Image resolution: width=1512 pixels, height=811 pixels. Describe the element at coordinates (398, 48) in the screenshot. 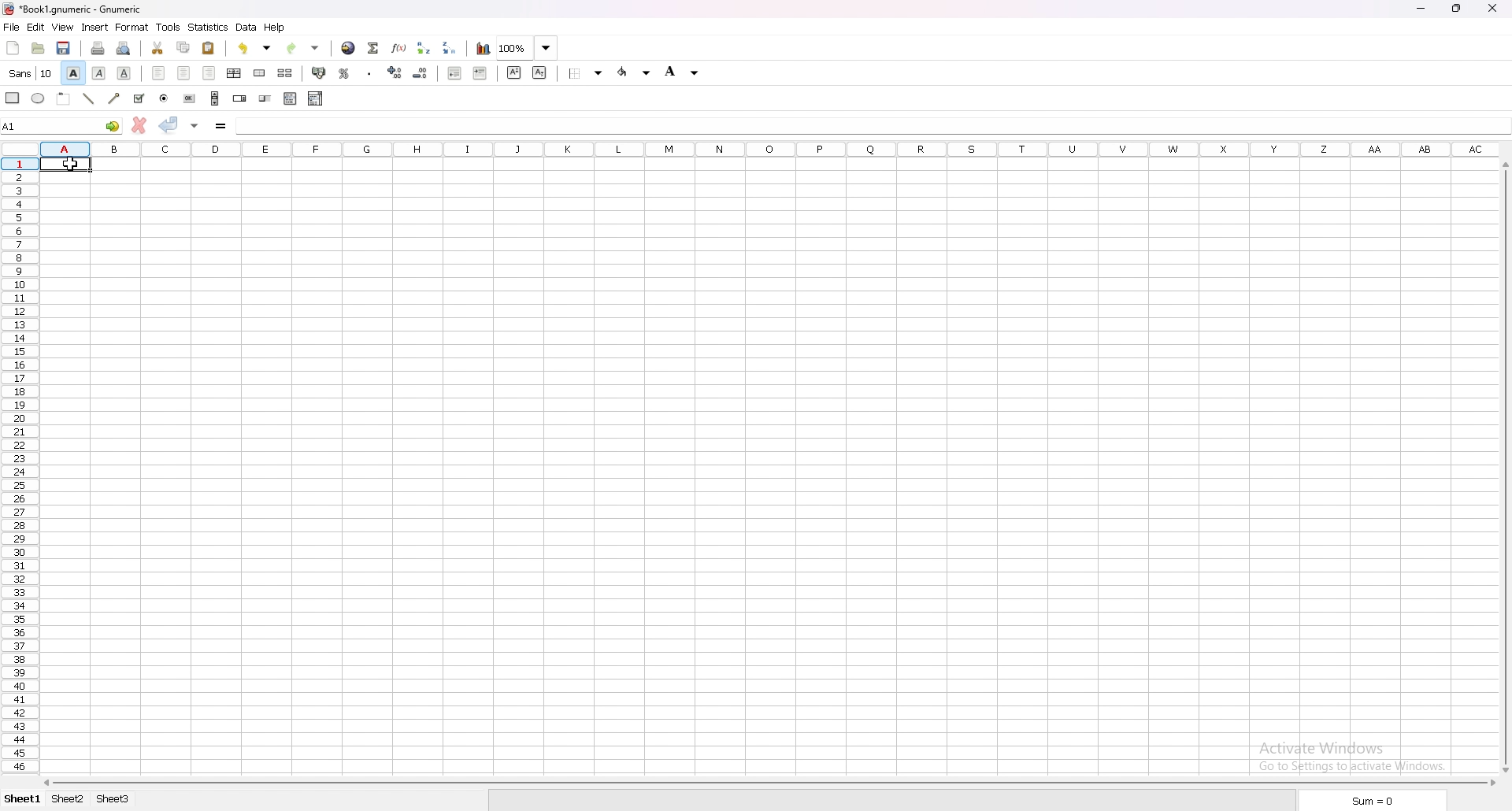

I see `function` at that location.